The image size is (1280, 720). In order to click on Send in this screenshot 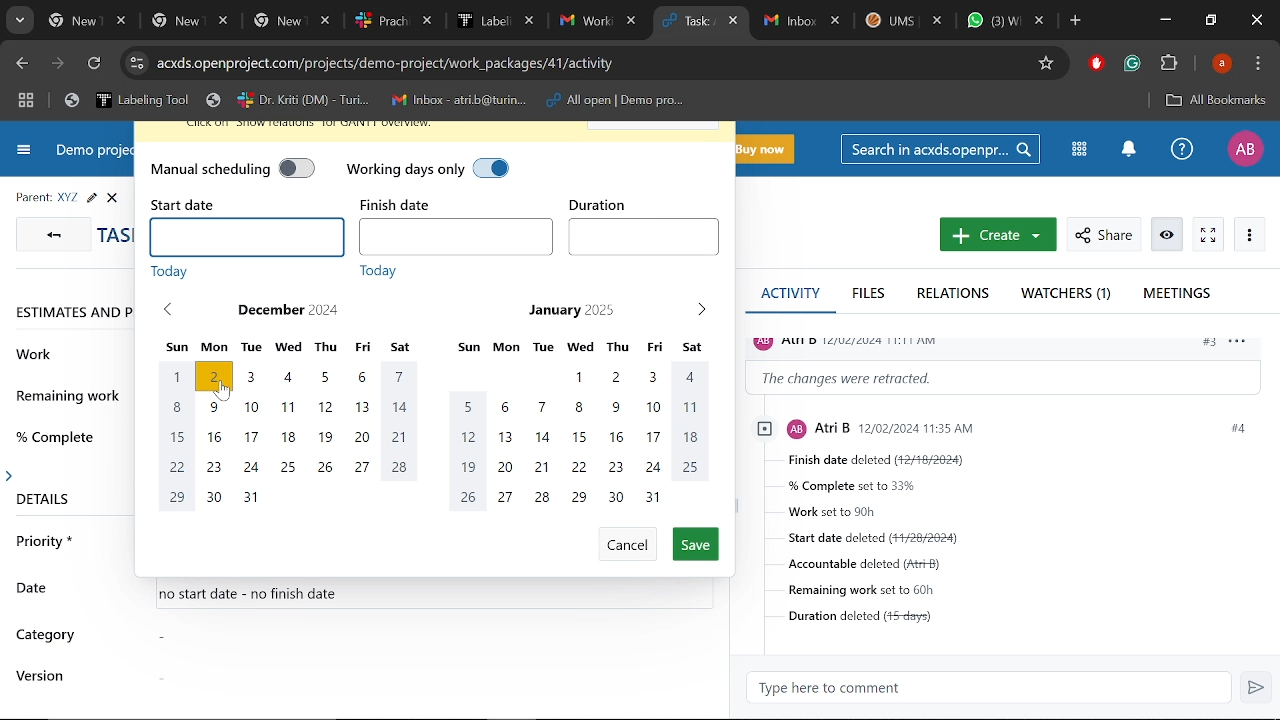, I will do `click(1255, 687)`.